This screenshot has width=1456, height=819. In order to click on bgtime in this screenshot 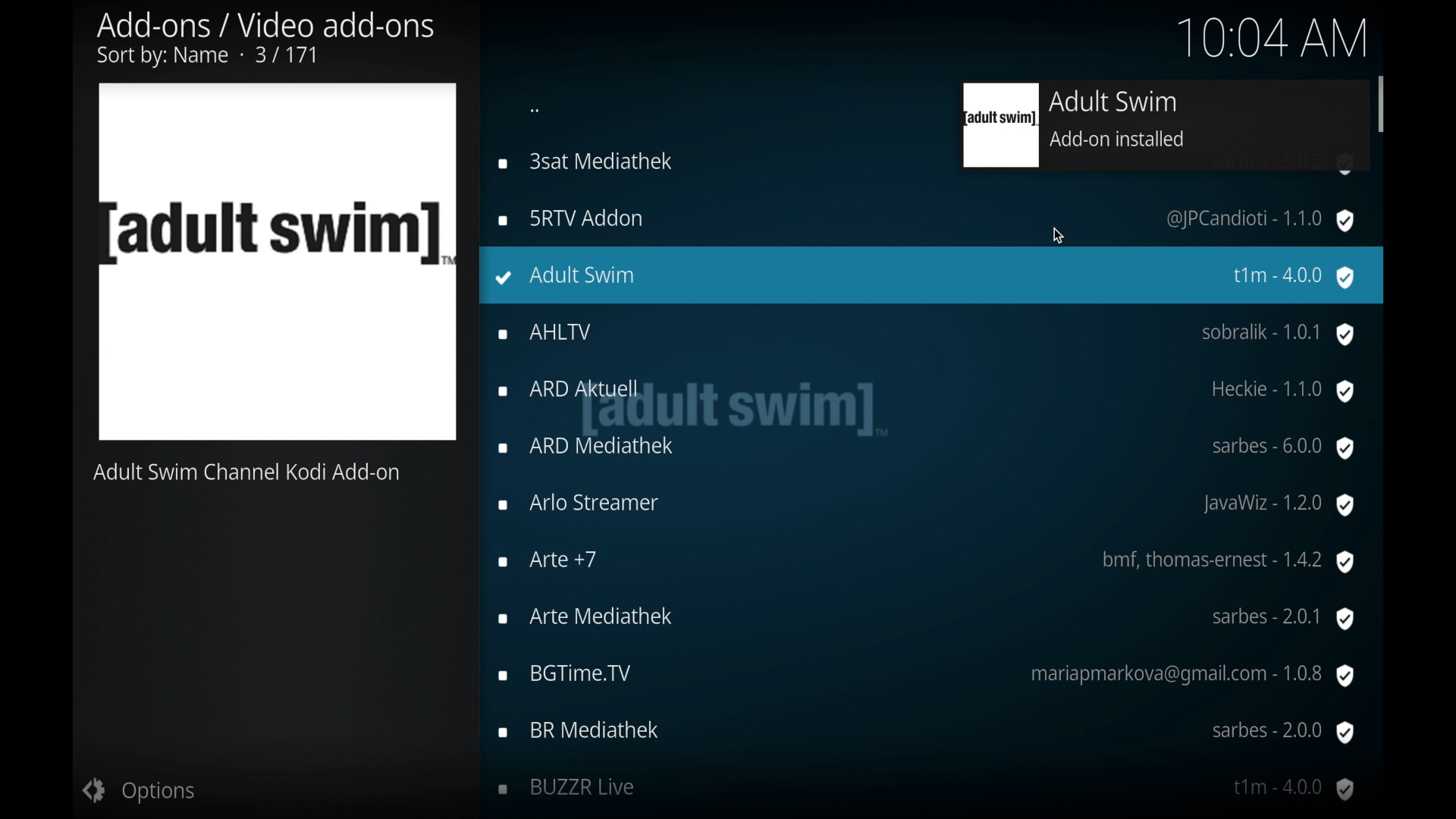, I will do `click(925, 676)`.